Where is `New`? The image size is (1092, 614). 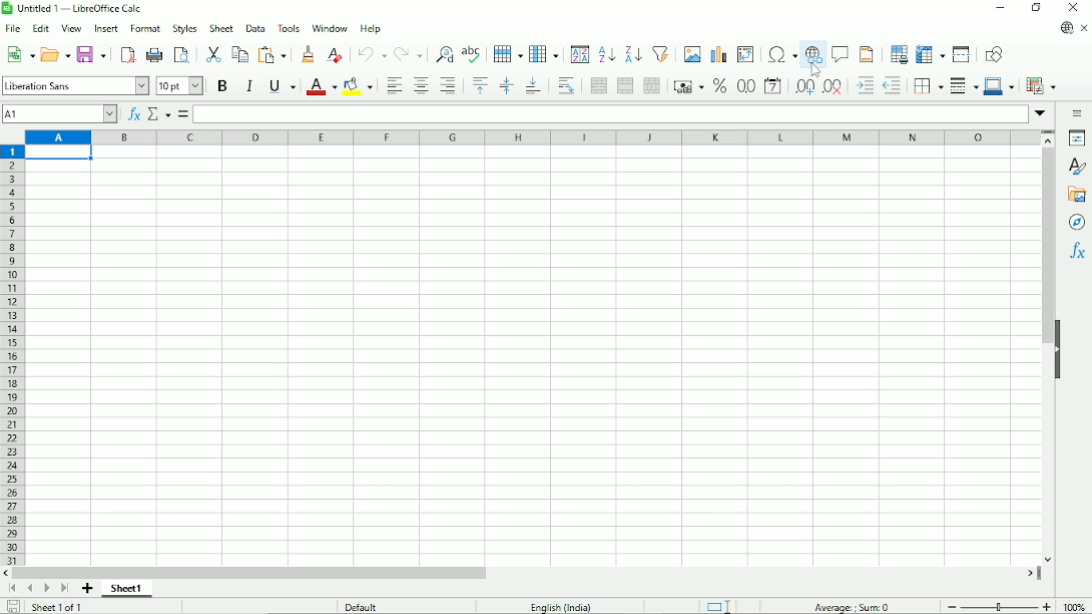 New is located at coordinates (18, 54).